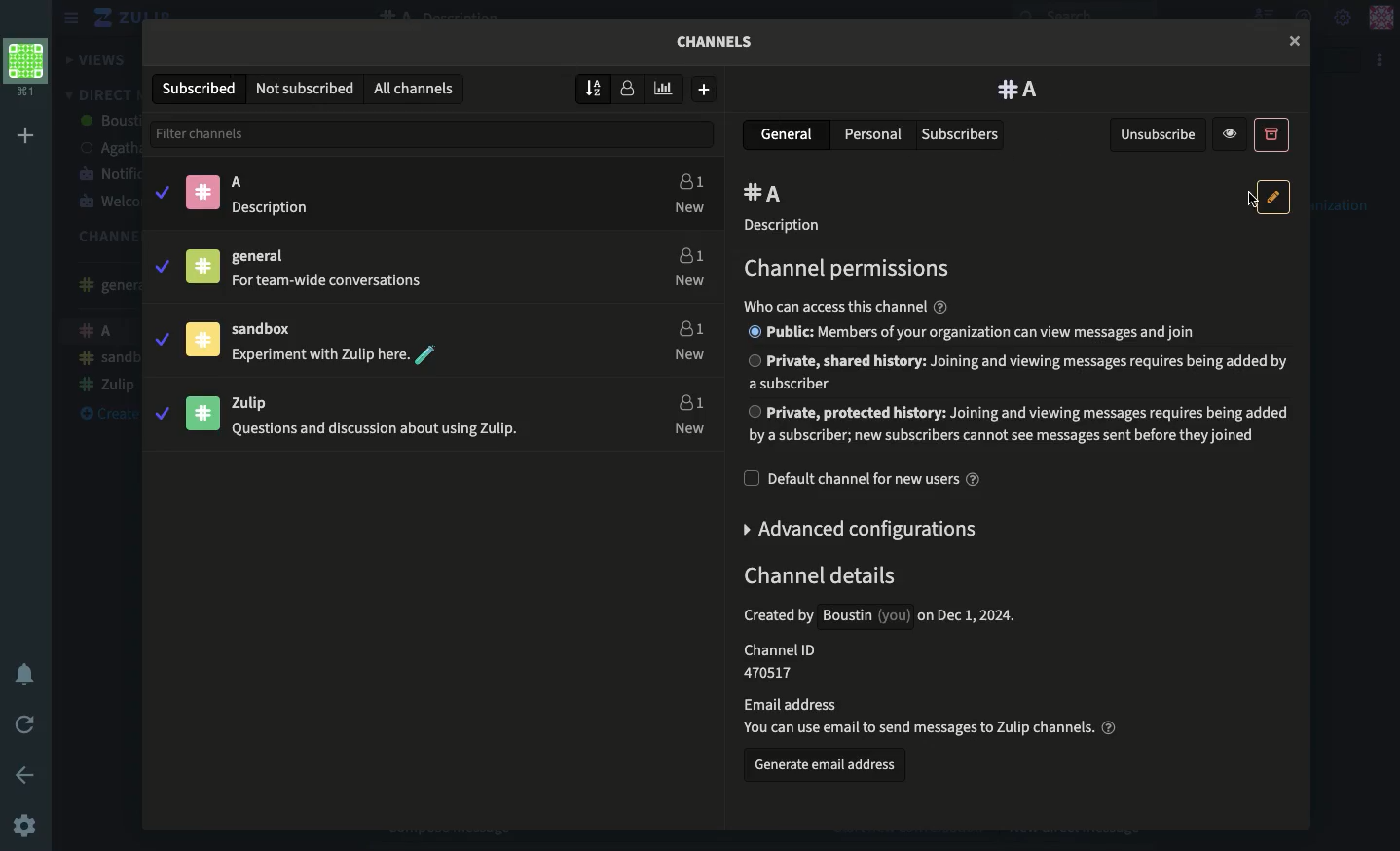 The height and width of the screenshot is (851, 1400). What do you see at coordinates (109, 122) in the screenshot?
I see `boustin` at bounding box center [109, 122].